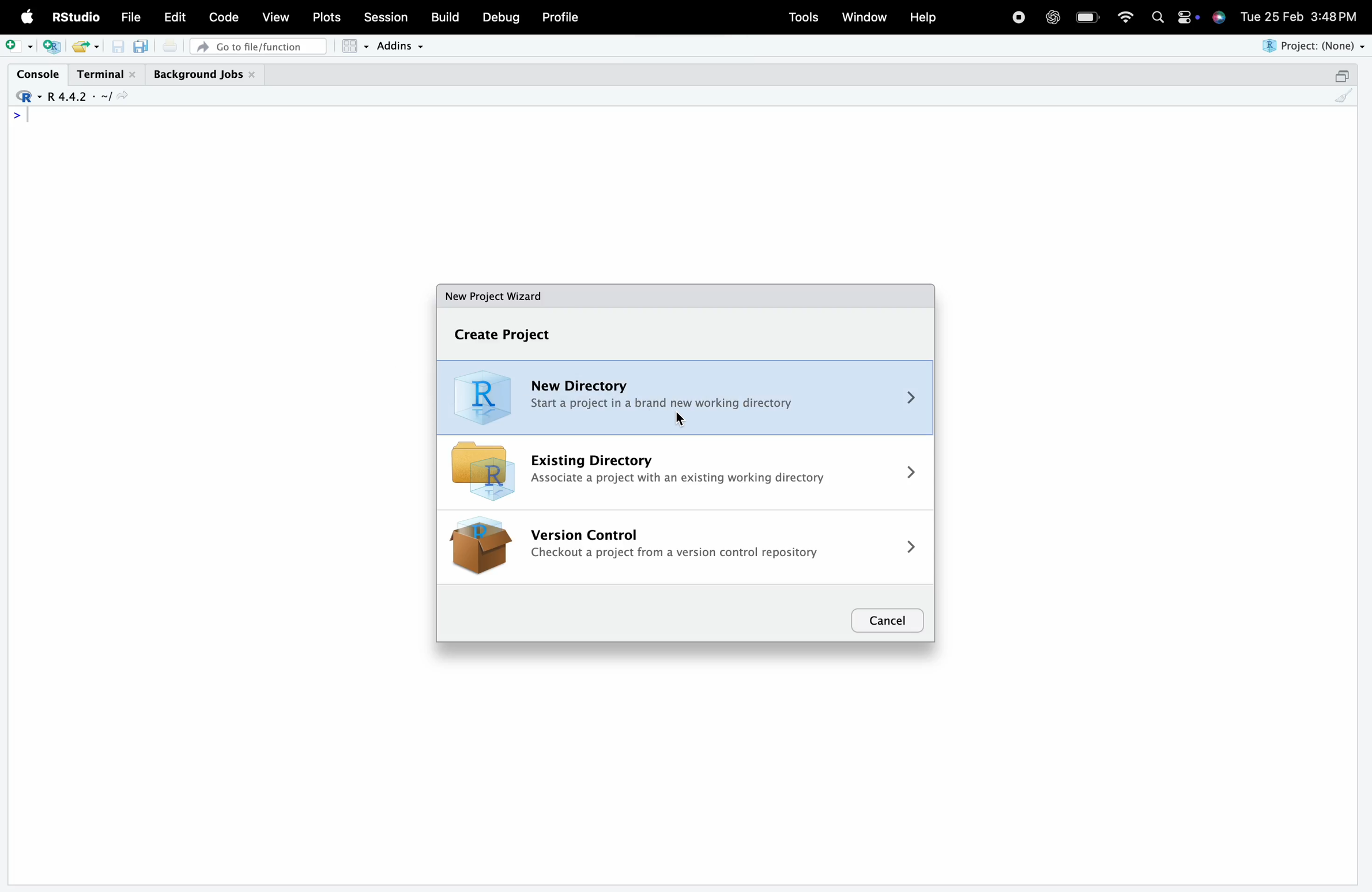 The width and height of the screenshot is (1372, 892). What do you see at coordinates (258, 47) in the screenshot?
I see `Go to file/function` at bounding box center [258, 47].